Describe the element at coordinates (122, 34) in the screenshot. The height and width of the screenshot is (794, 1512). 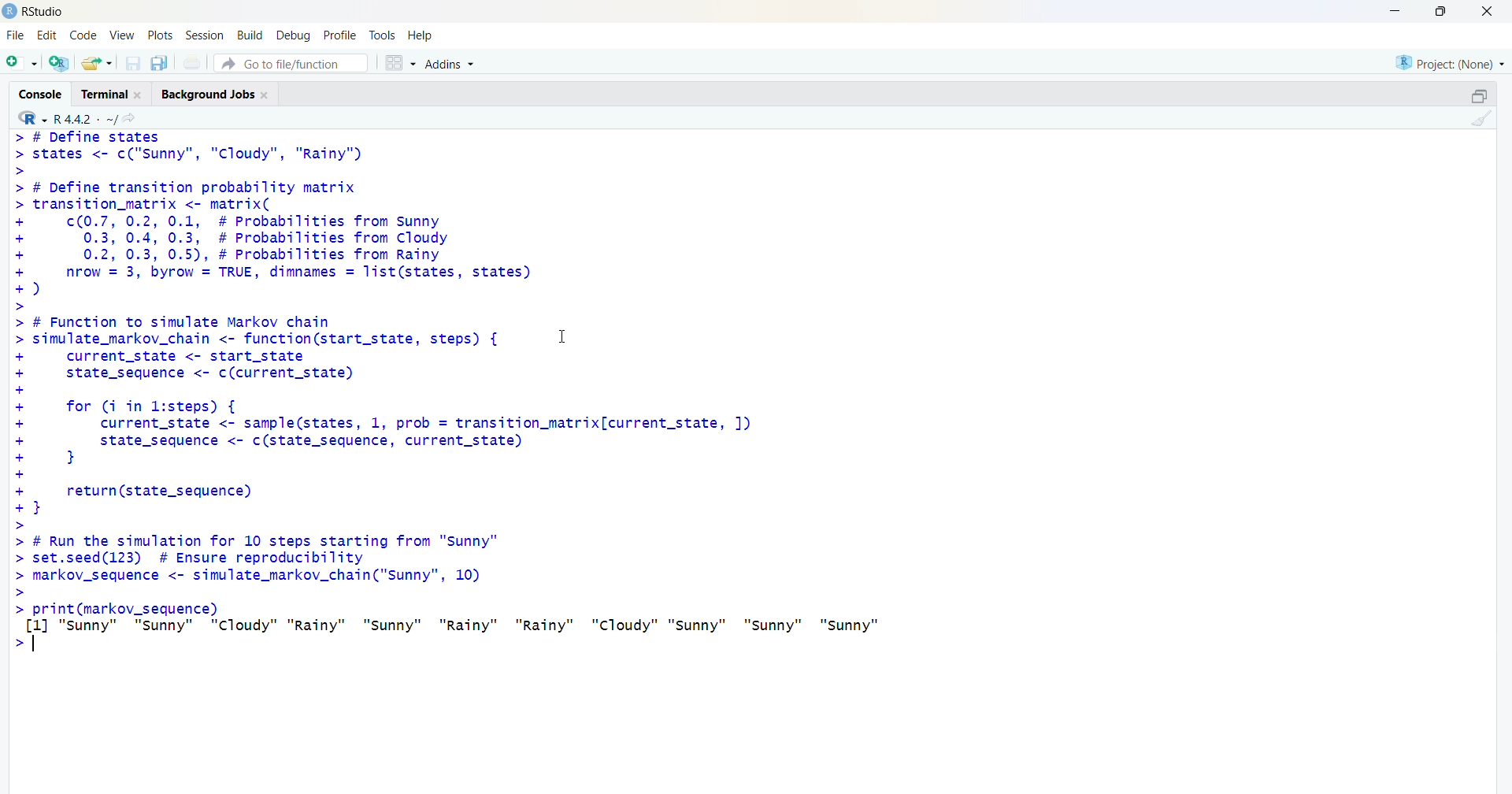
I see `view` at that location.